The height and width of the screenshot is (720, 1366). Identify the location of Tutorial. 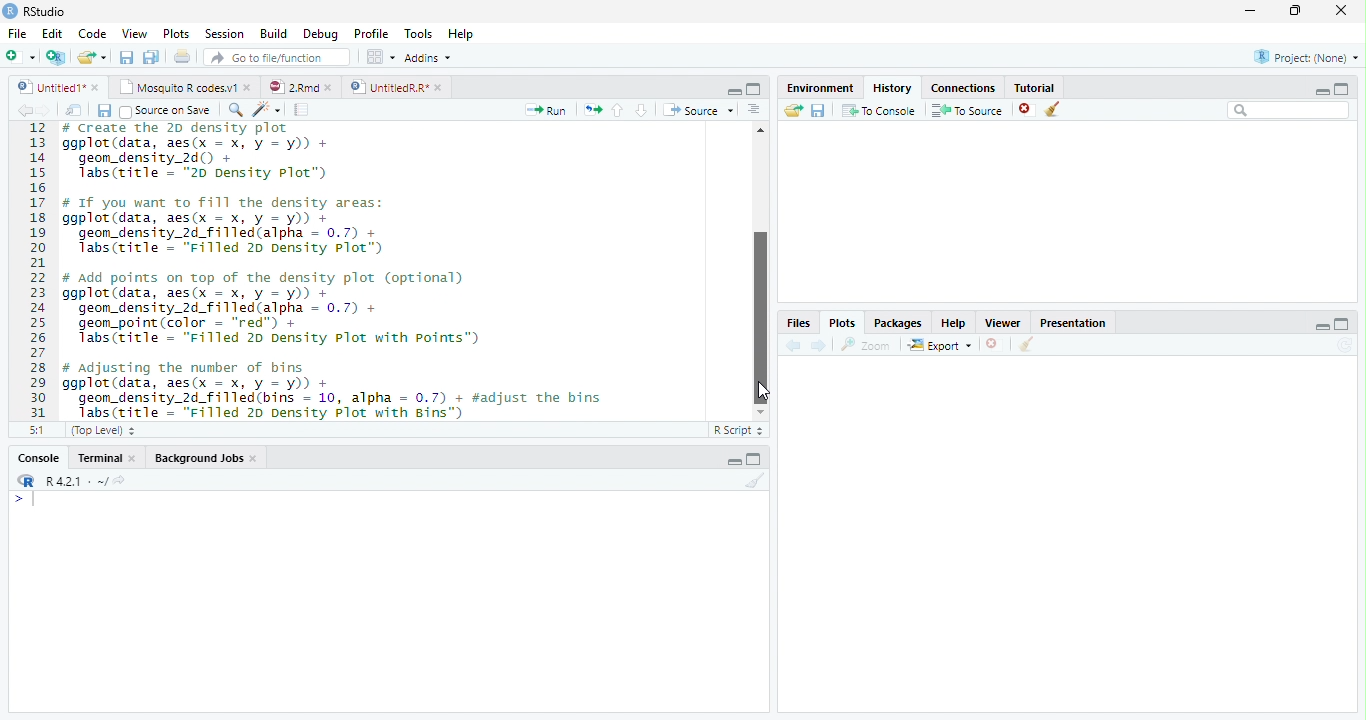
(1036, 87).